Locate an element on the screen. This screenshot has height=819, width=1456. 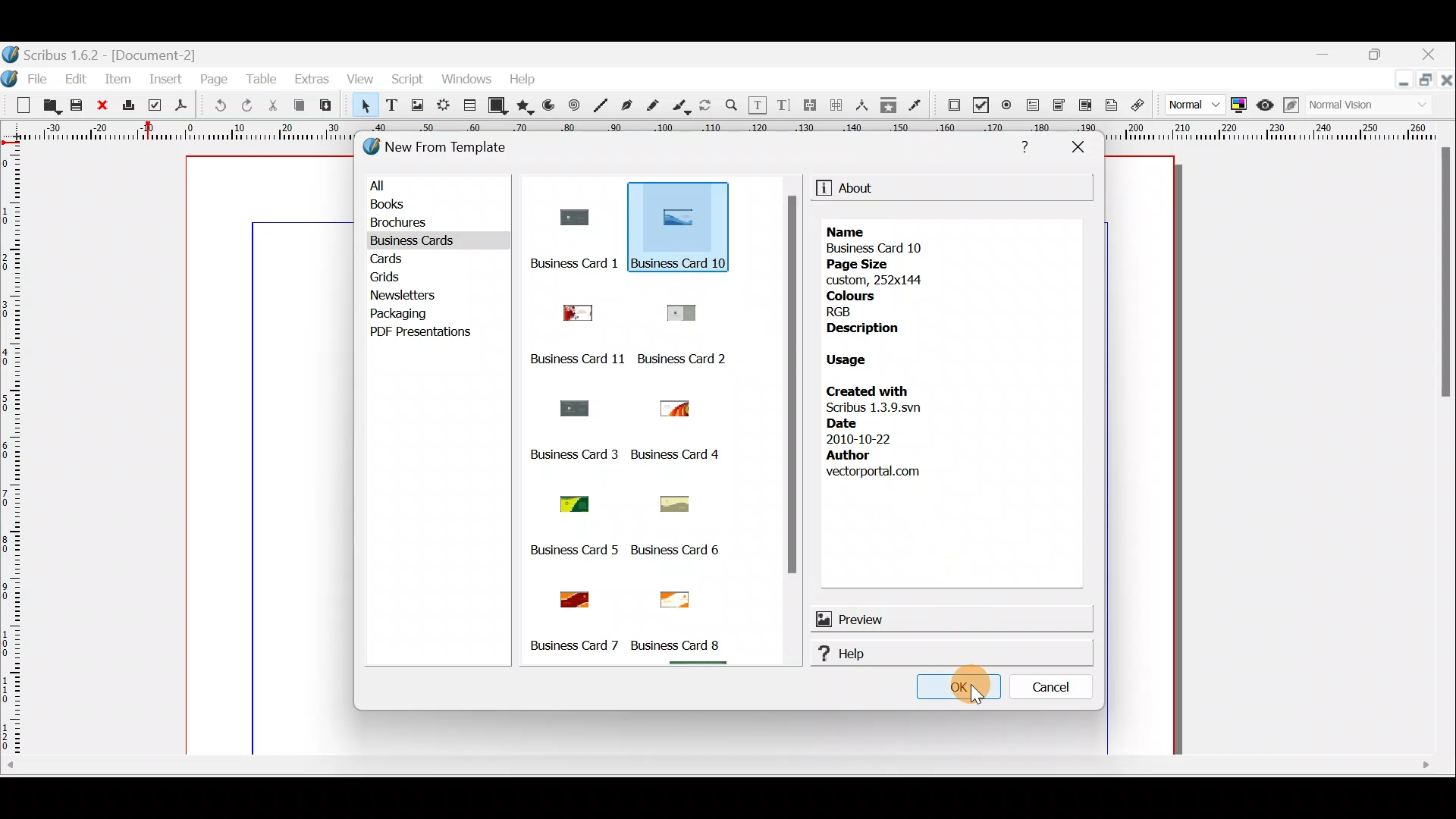
Save as PDF is located at coordinates (181, 107).